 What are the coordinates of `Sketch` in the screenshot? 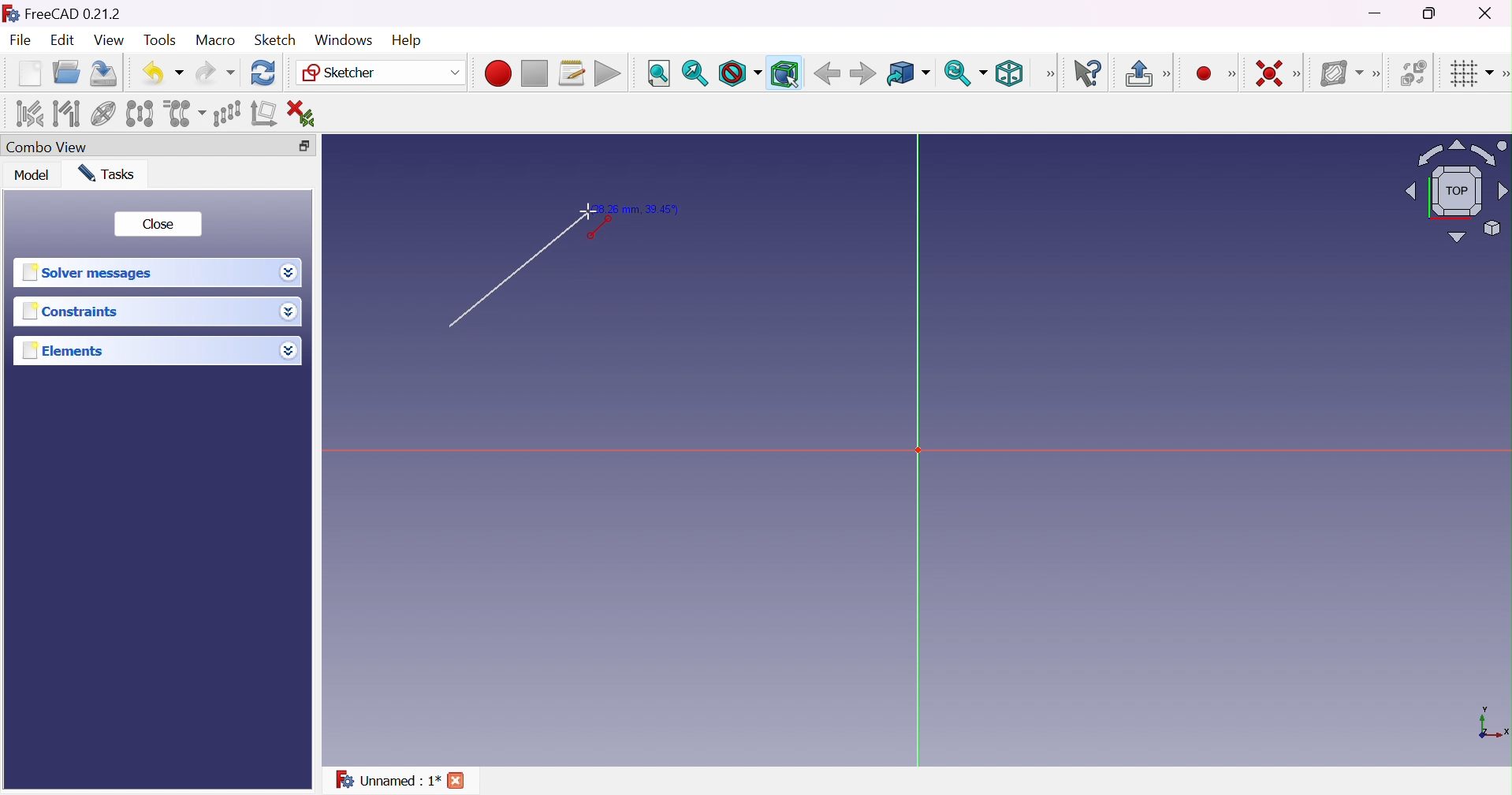 It's located at (277, 40).